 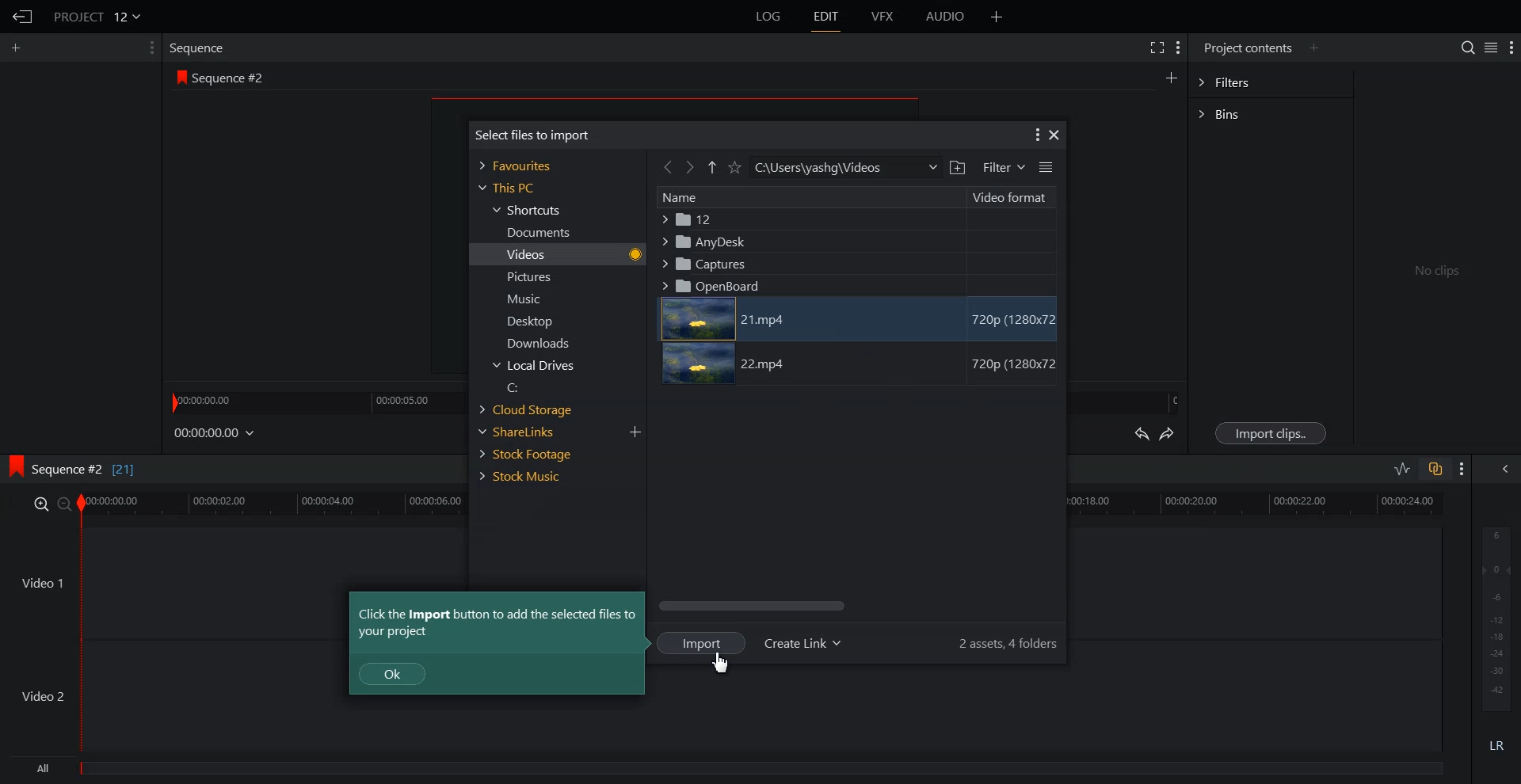 What do you see at coordinates (518, 165) in the screenshot?
I see `Favorites` at bounding box center [518, 165].